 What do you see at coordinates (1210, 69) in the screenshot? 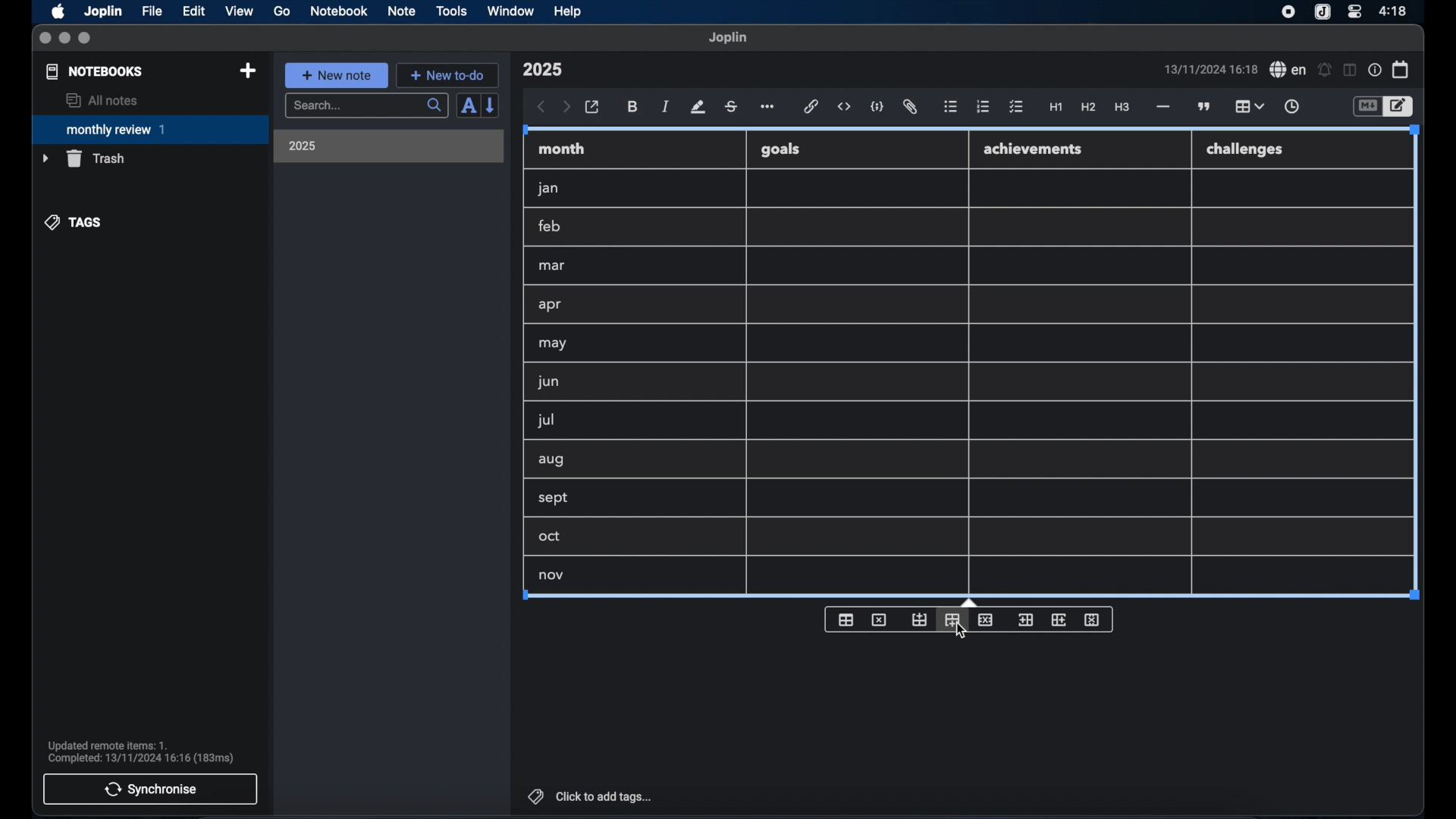
I see `date` at bounding box center [1210, 69].